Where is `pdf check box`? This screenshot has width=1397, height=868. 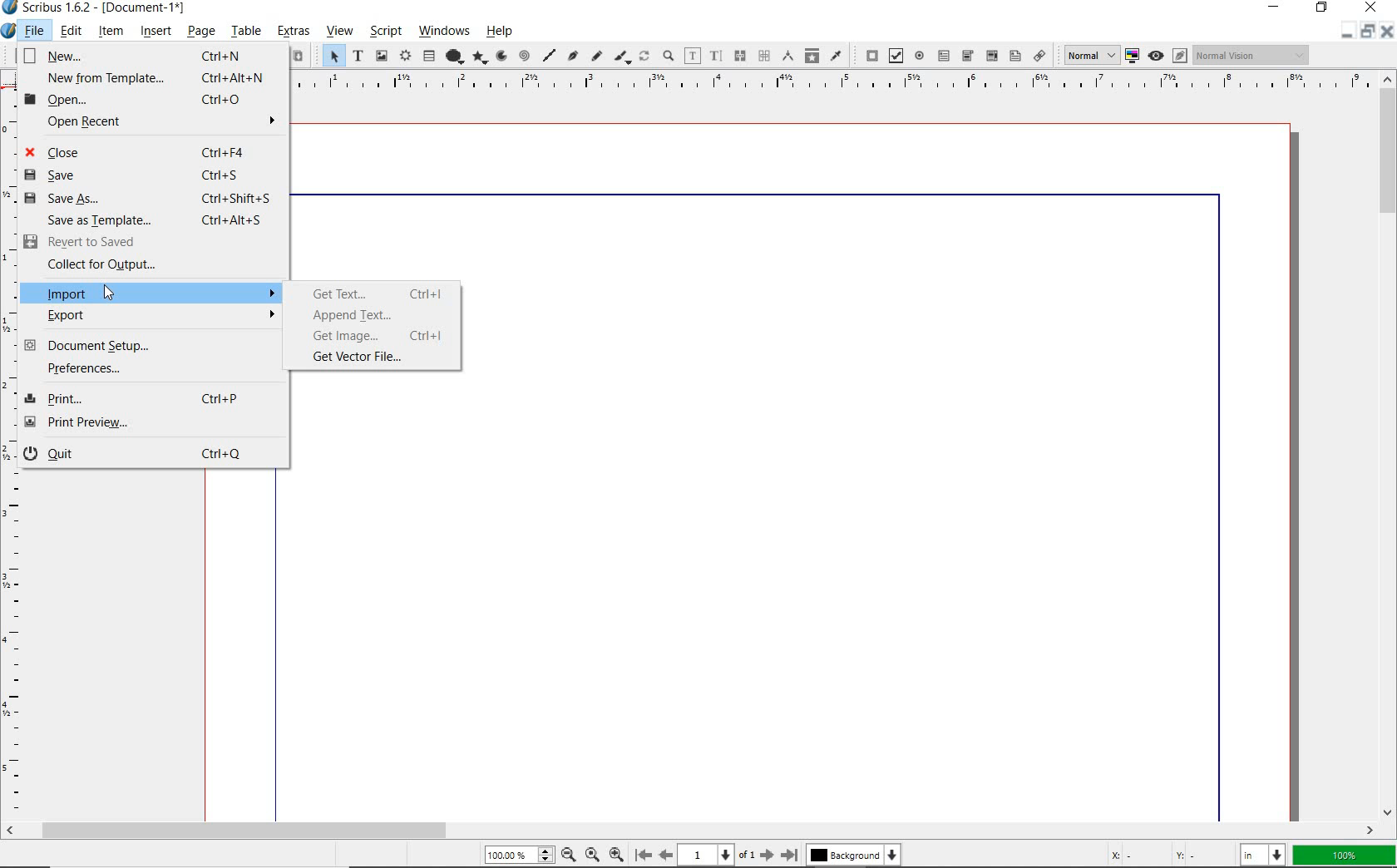
pdf check box is located at coordinates (896, 56).